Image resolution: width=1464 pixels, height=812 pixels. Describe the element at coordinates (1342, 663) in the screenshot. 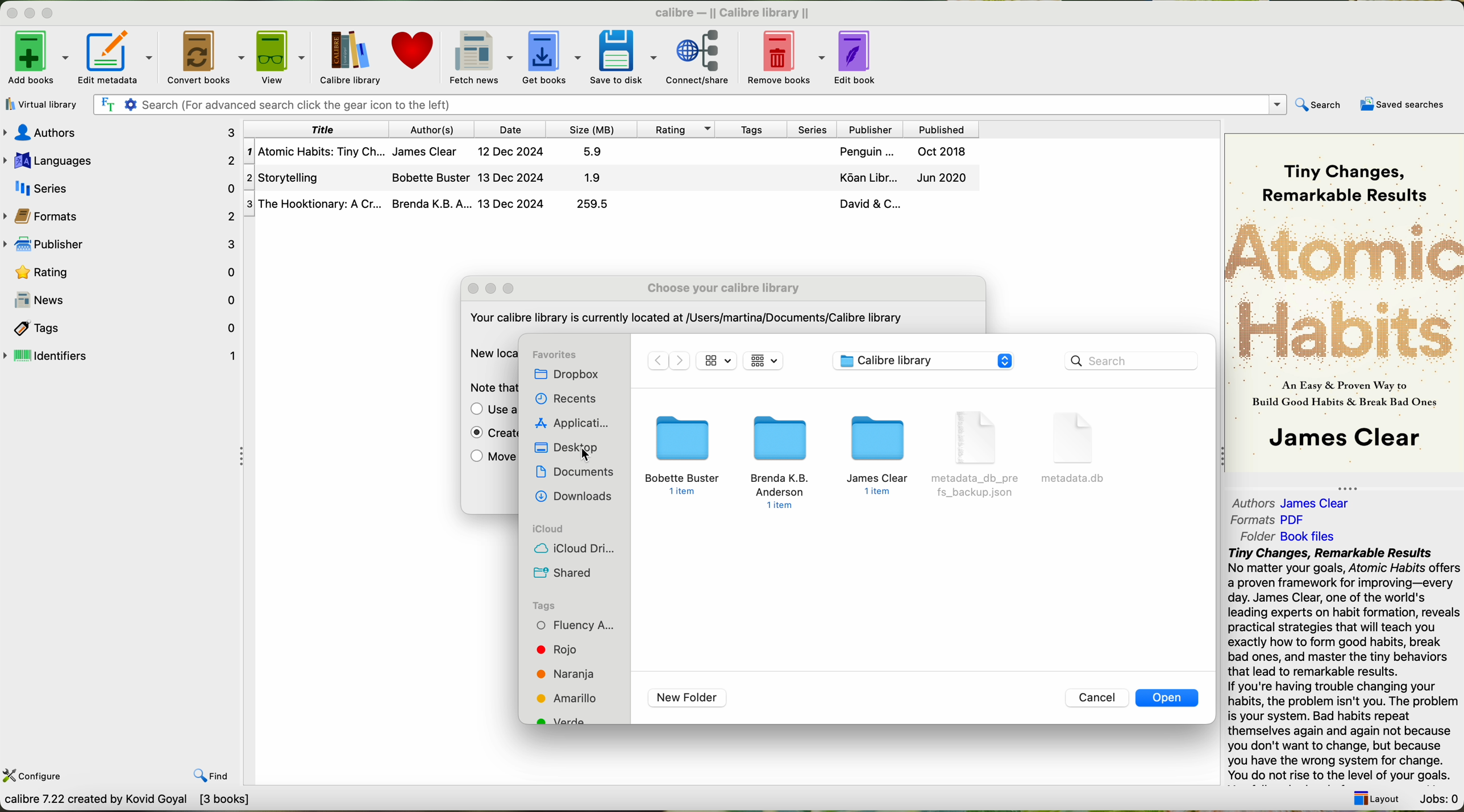

I see `Tiny Changes, Remarkable Results
No matter your goals, Atomic Habits o
a proven framework for improving—ev
day. James Clear, one of the world's
leading experts on habit formation, rex
practical strategies that will teach you
exactly how to form good habits, brea
bad ones, and master the tiny behavio
that lead to remarkable results.

If you're having trouble changing your
habits, the problem isn't you. The prok
is your system. Bad habits repeat
themselves again and again not becat
you don't want to change, but becaus
vou have the wrona svstem for chanas` at that location.